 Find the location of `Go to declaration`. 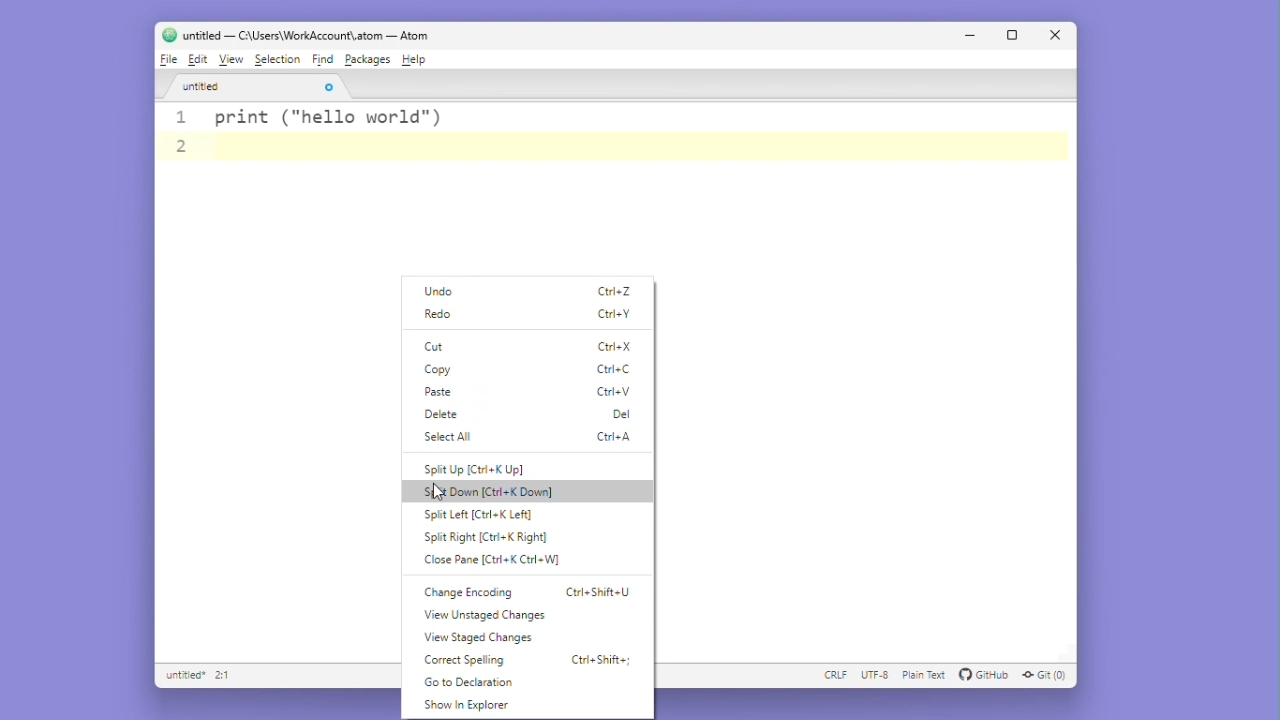

Go to declaration is located at coordinates (472, 681).